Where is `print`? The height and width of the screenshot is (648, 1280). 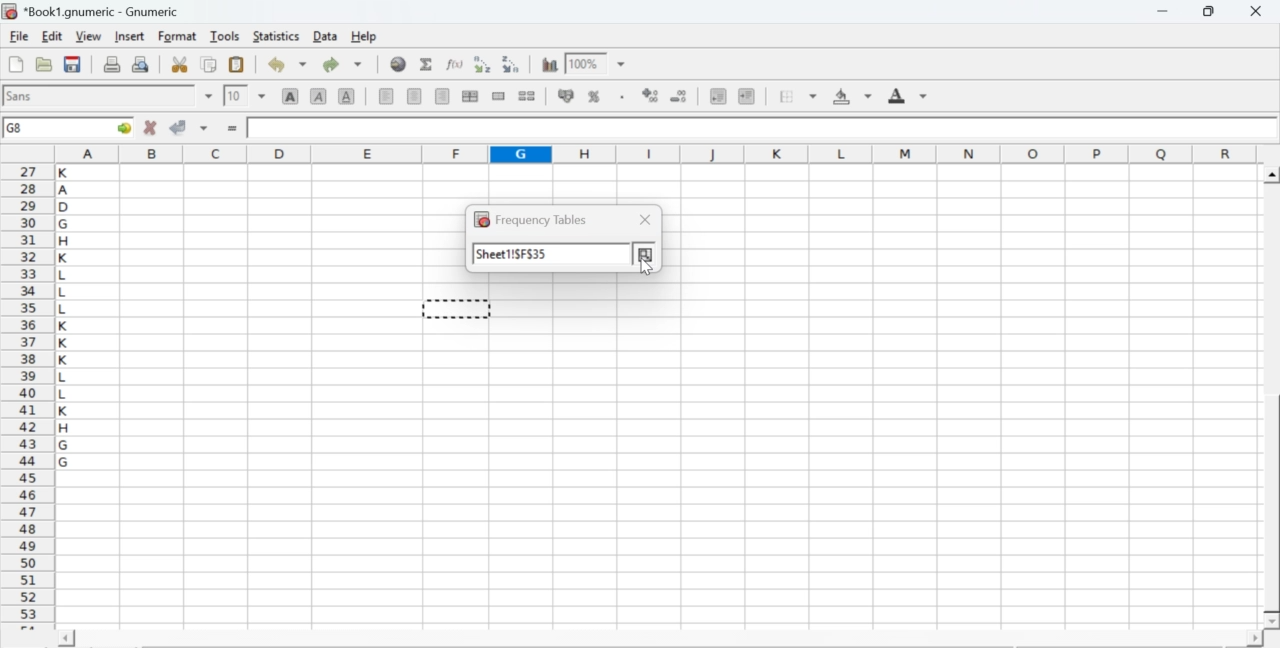
print is located at coordinates (112, 63).